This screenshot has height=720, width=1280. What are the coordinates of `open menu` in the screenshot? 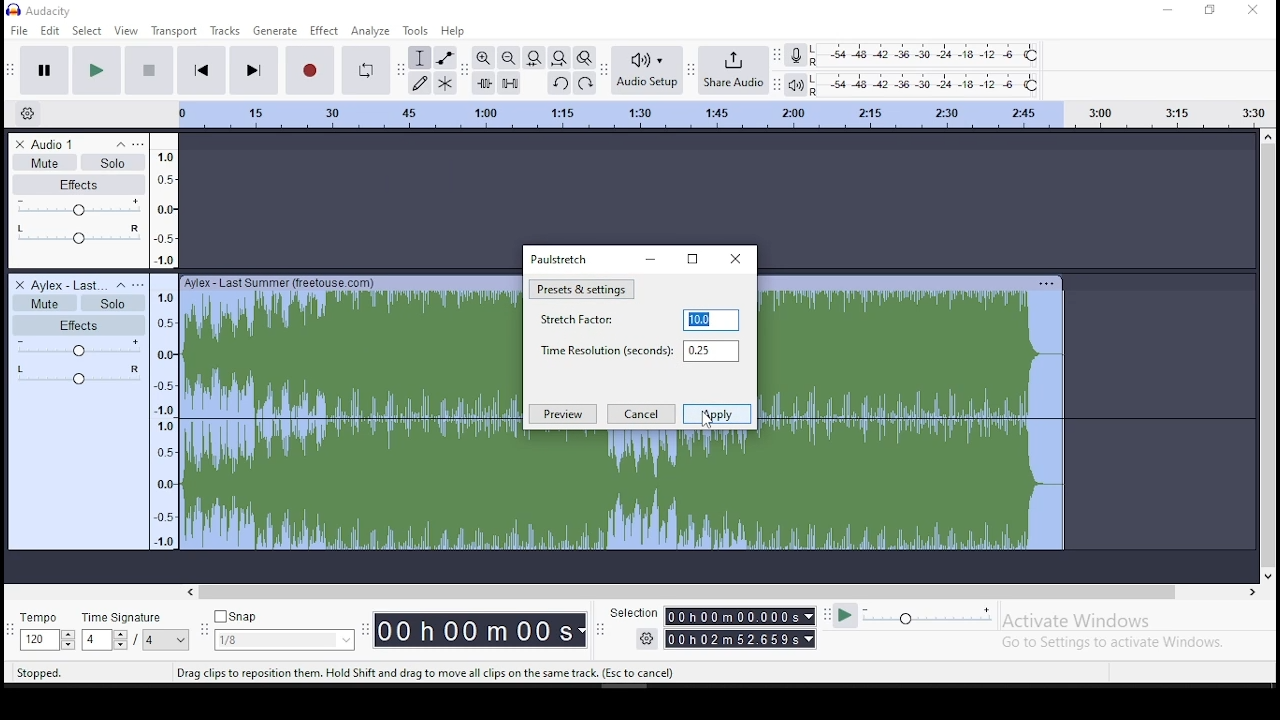 It's located at (142, 284).